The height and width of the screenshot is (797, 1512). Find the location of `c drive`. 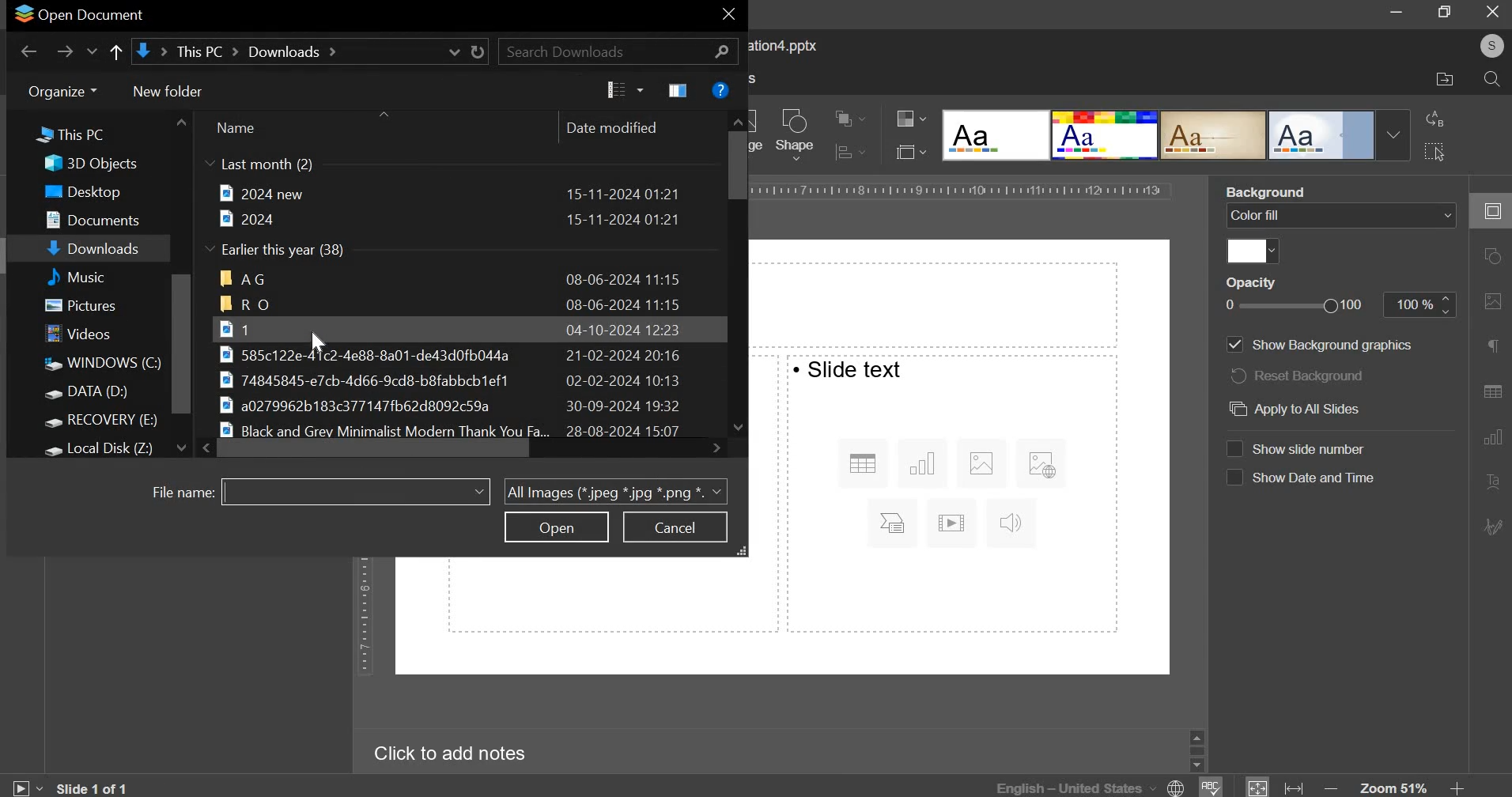

c drive is located at coordinates (100, 364).